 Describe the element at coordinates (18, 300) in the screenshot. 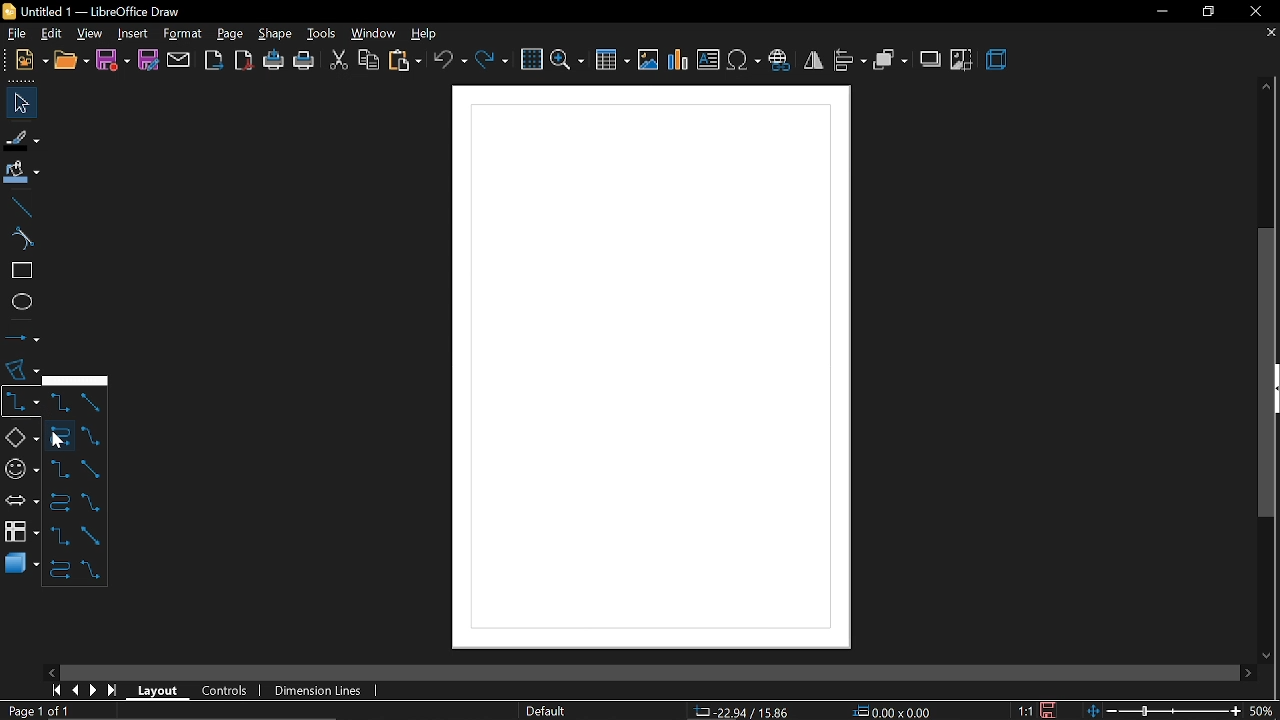

I see `ellipse` at that location.